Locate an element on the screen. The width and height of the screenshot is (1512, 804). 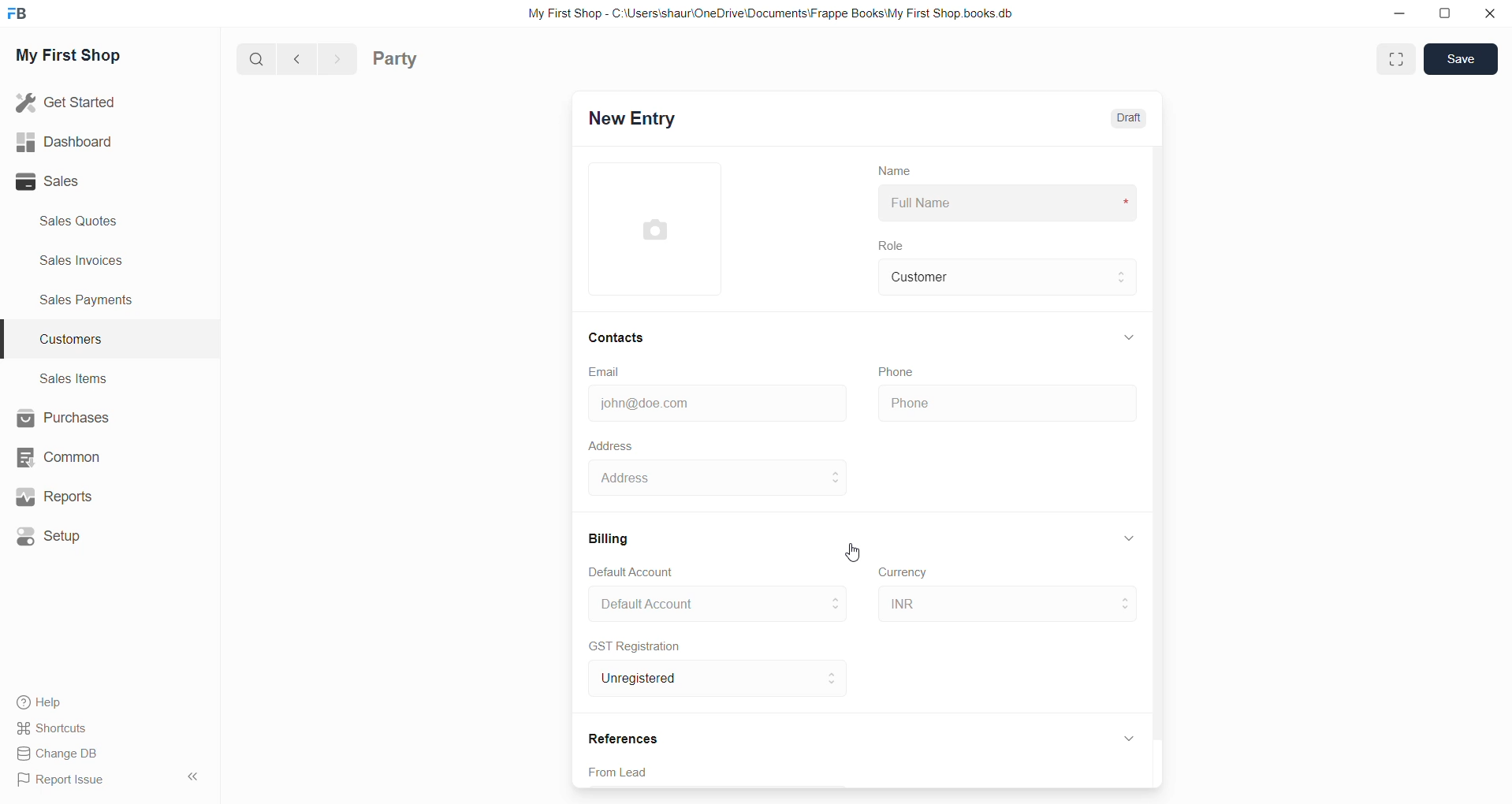
Address is located at coordinates (702, 479).